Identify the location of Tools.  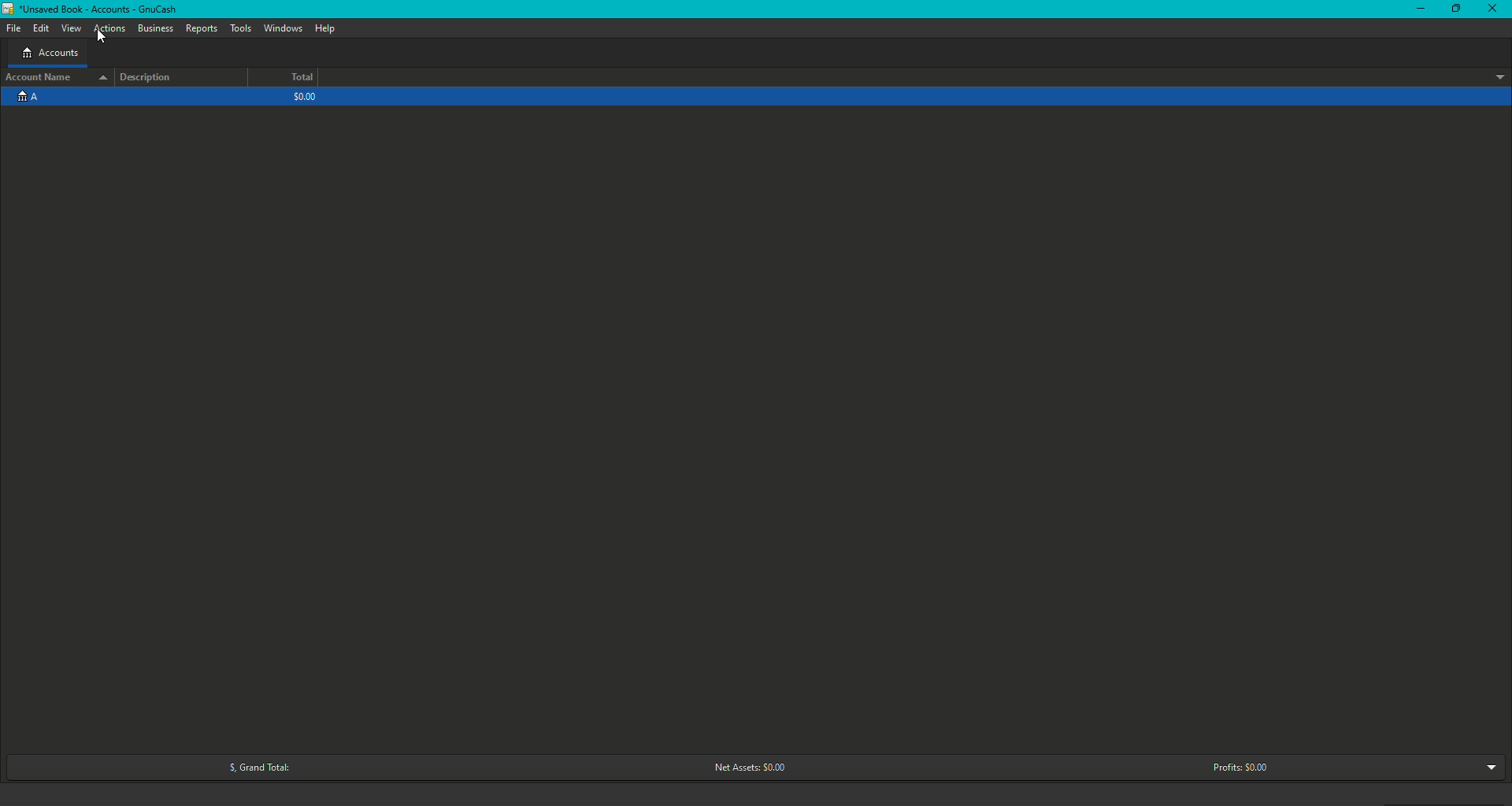
(240, 28).